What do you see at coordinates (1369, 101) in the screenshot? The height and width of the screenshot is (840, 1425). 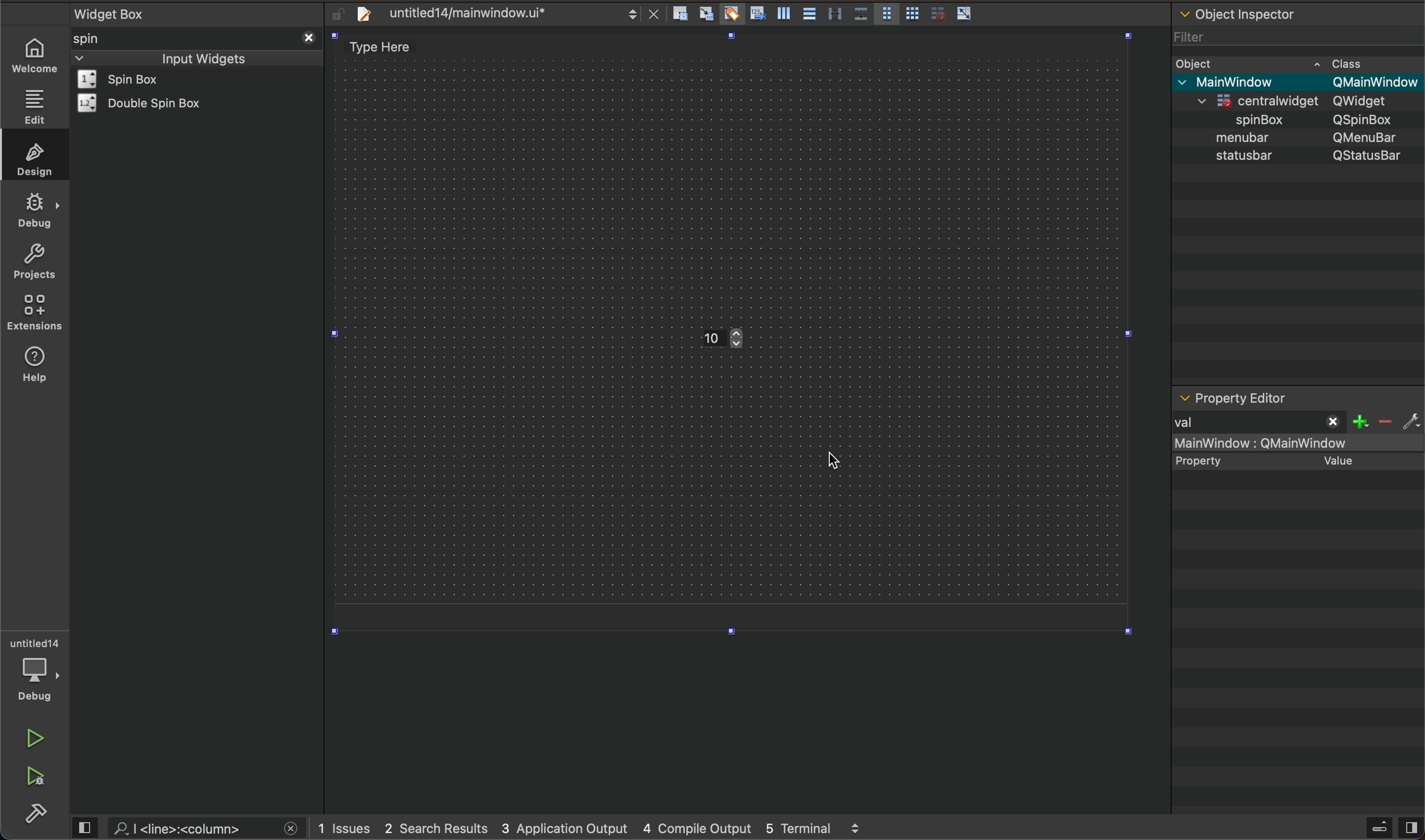 I see `` at bounding box center [1369, 101].